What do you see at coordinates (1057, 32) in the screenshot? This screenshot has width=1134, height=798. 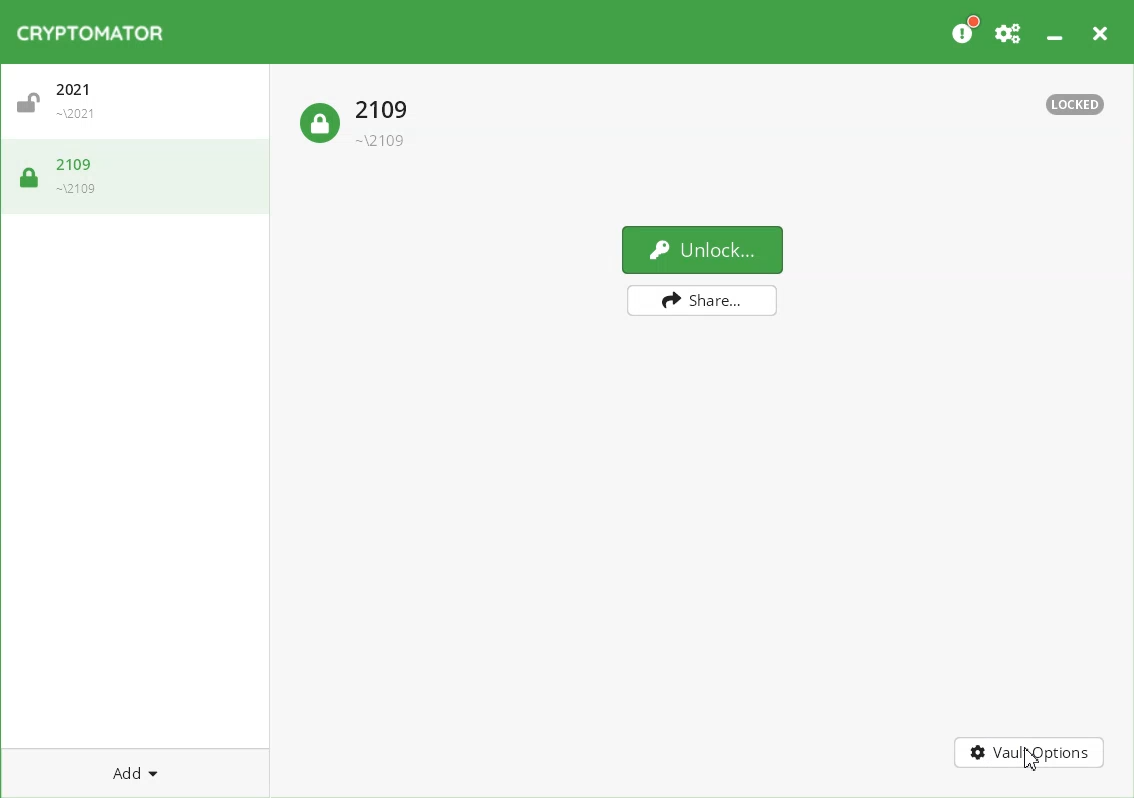 I see `Minimize` at bounding box center [1057, 32].